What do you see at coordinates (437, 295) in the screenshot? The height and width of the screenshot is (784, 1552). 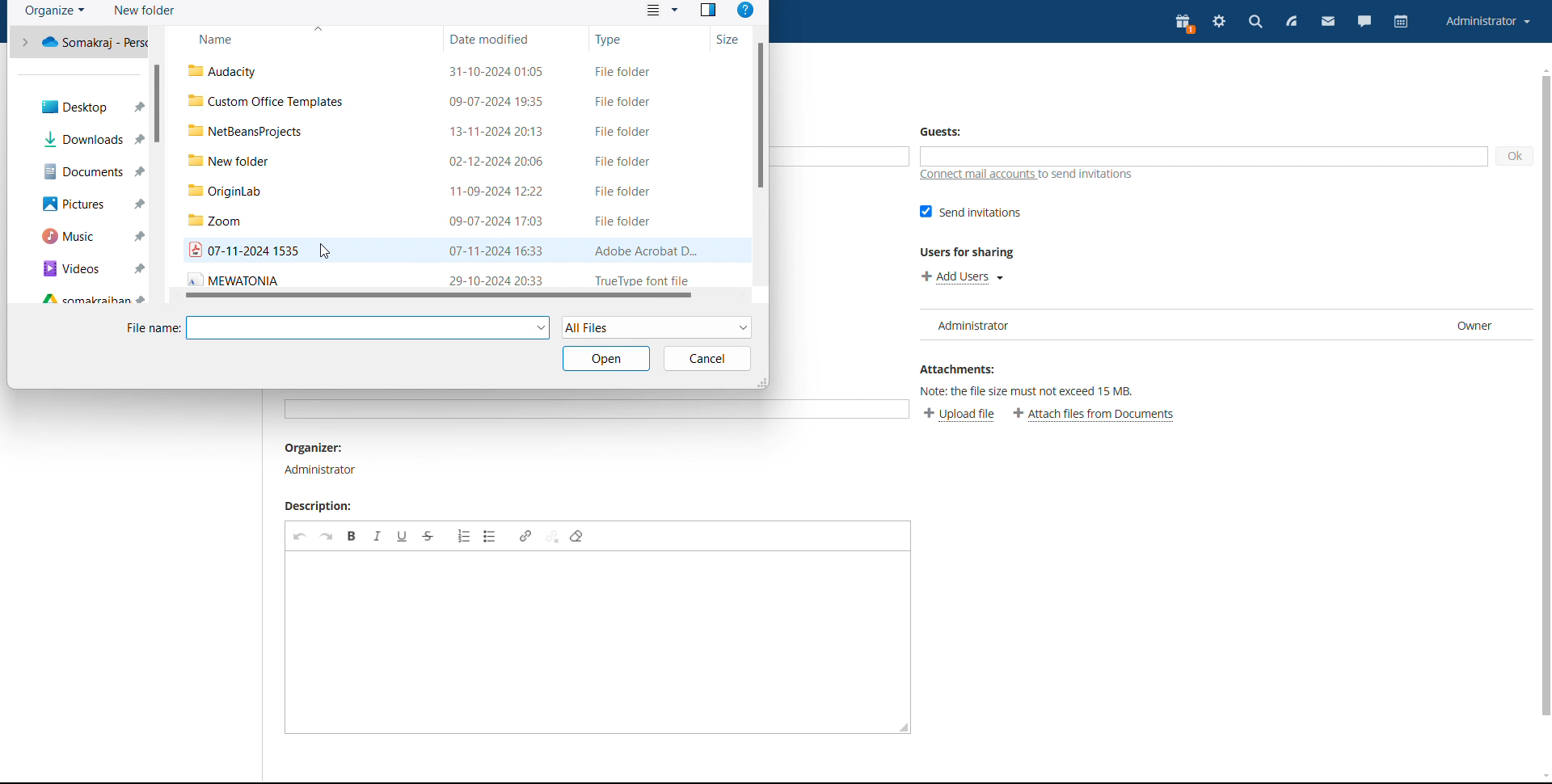 I see `s` at bounding box center [437, 295].